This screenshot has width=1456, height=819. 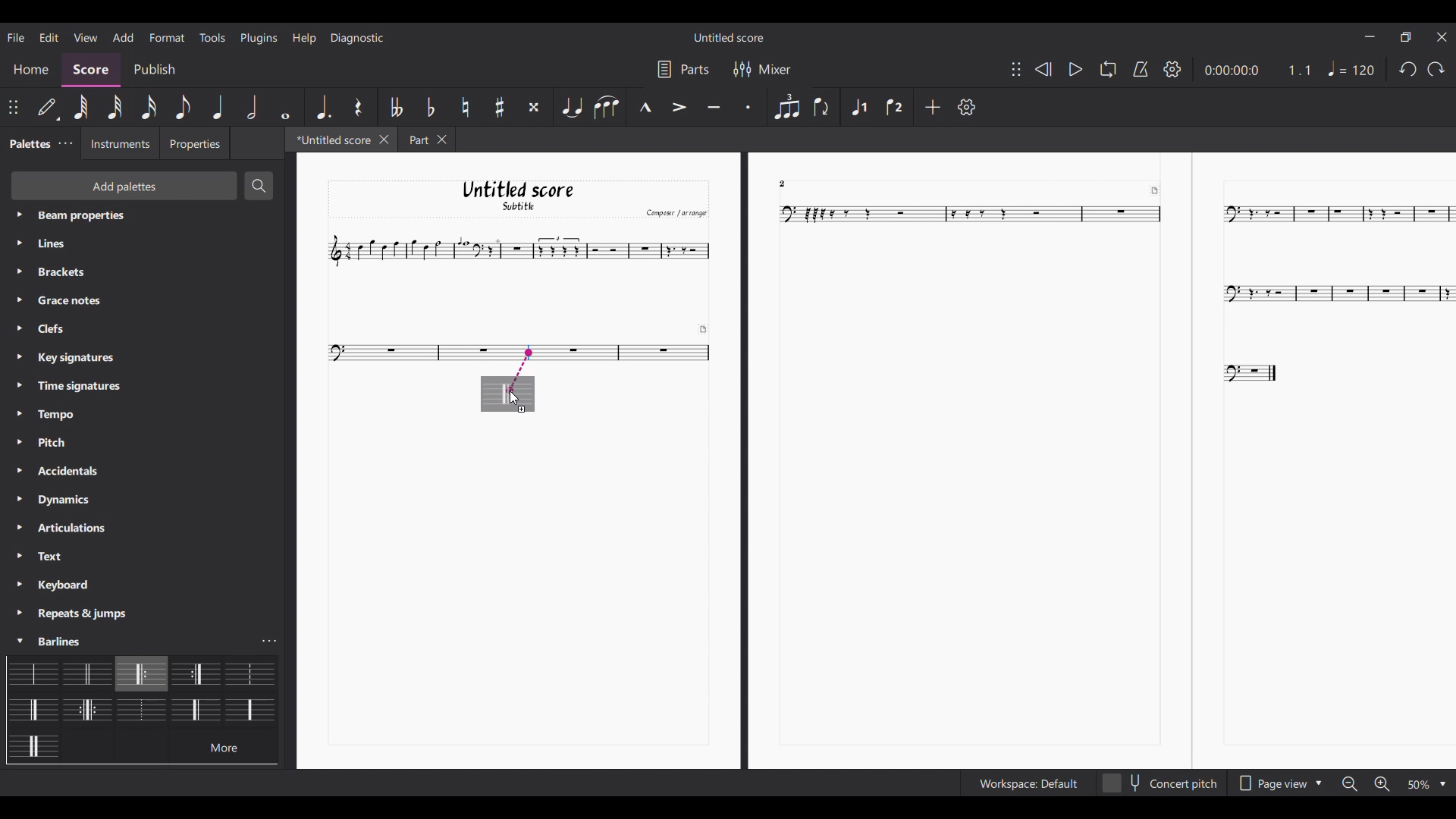 I want to click on Barline options, so click(x=87, y=673).